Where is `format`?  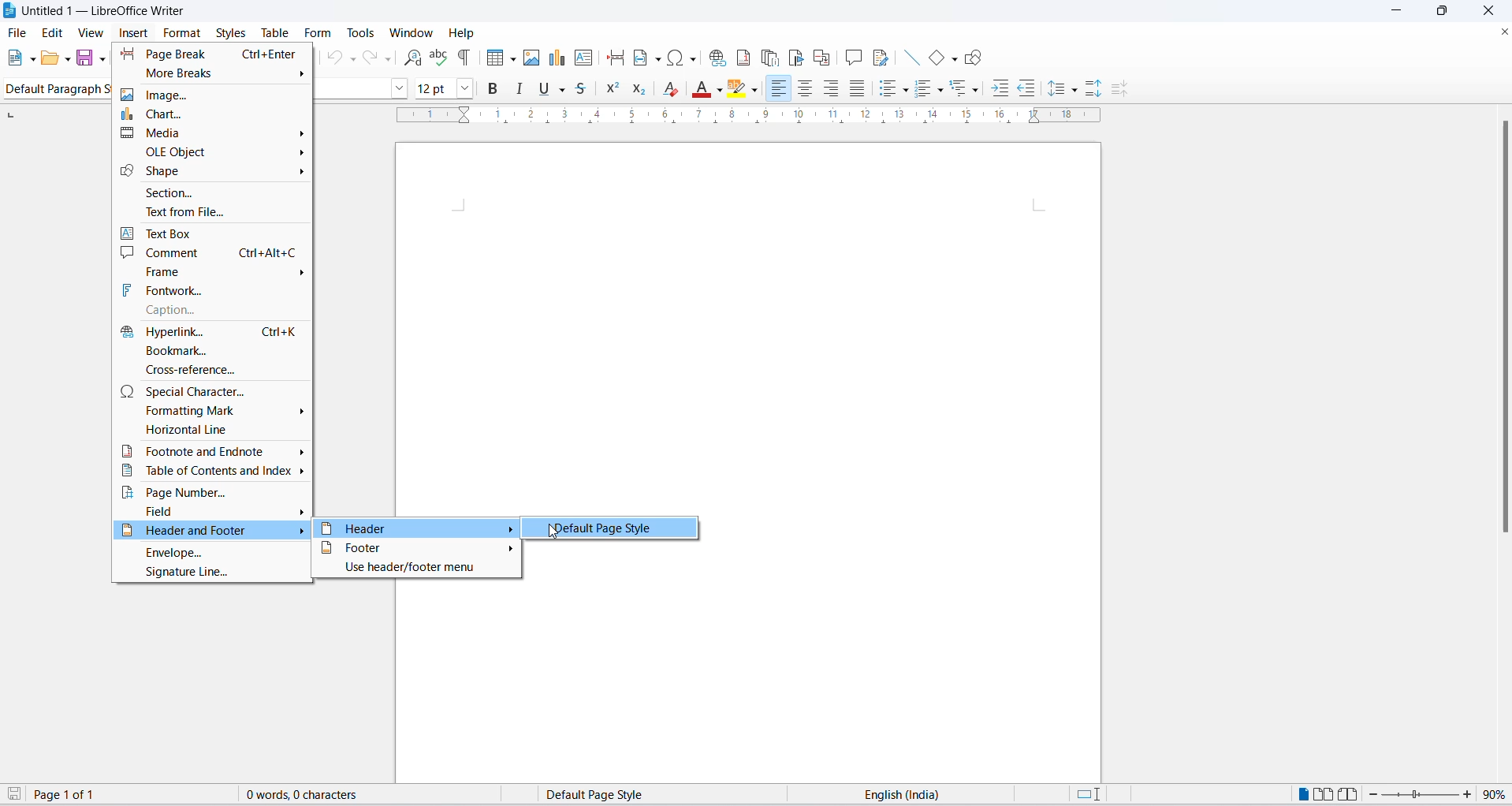 format is located at coordinates (183, 32).